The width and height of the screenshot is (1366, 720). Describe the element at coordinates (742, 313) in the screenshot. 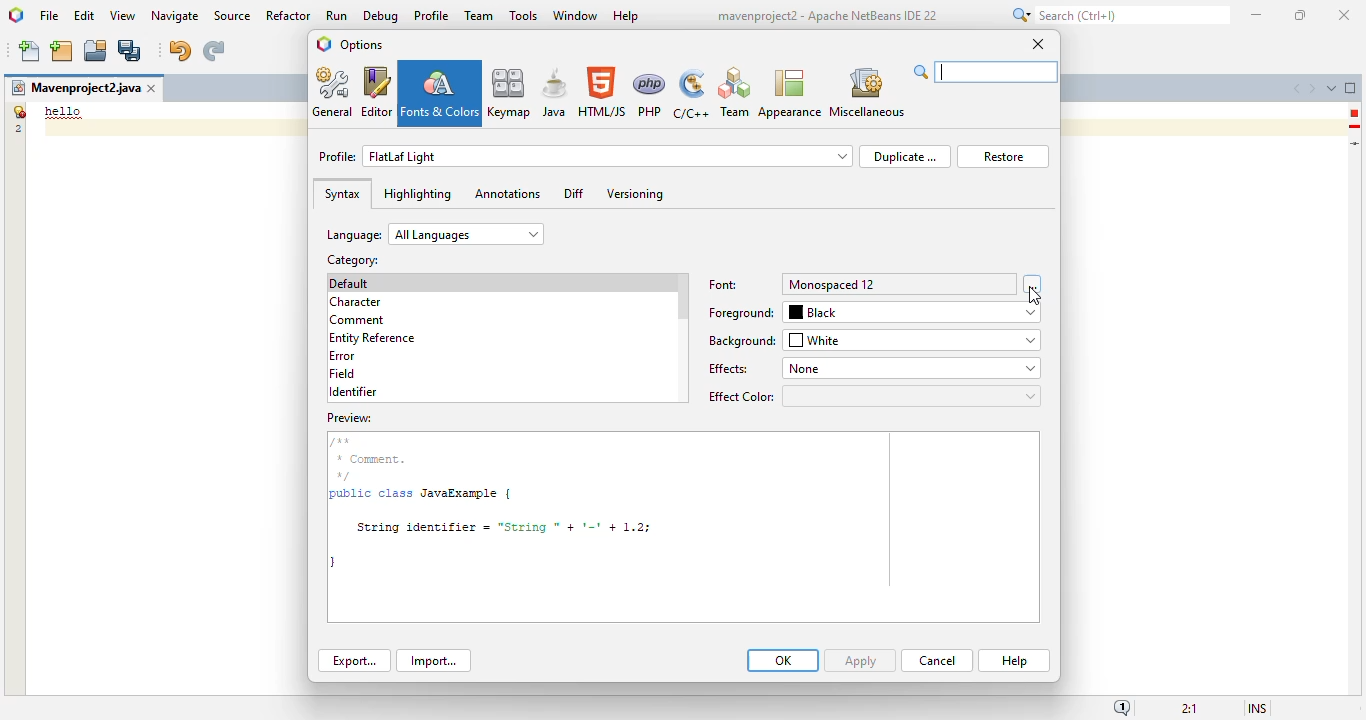

I see `foreground` at that location.